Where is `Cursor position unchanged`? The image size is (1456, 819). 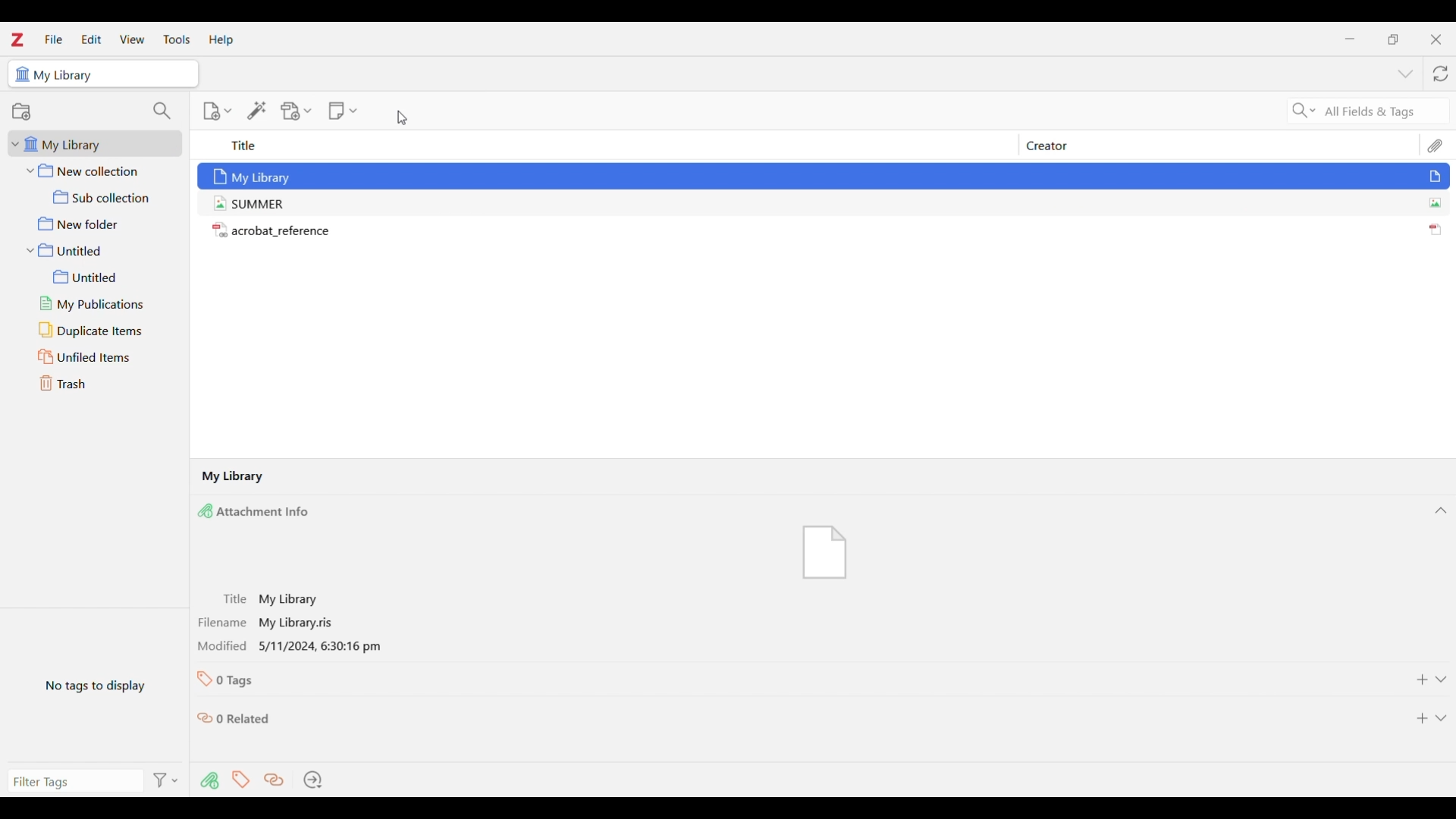
Cursor position unchanged is located at coordinates (402, 118).